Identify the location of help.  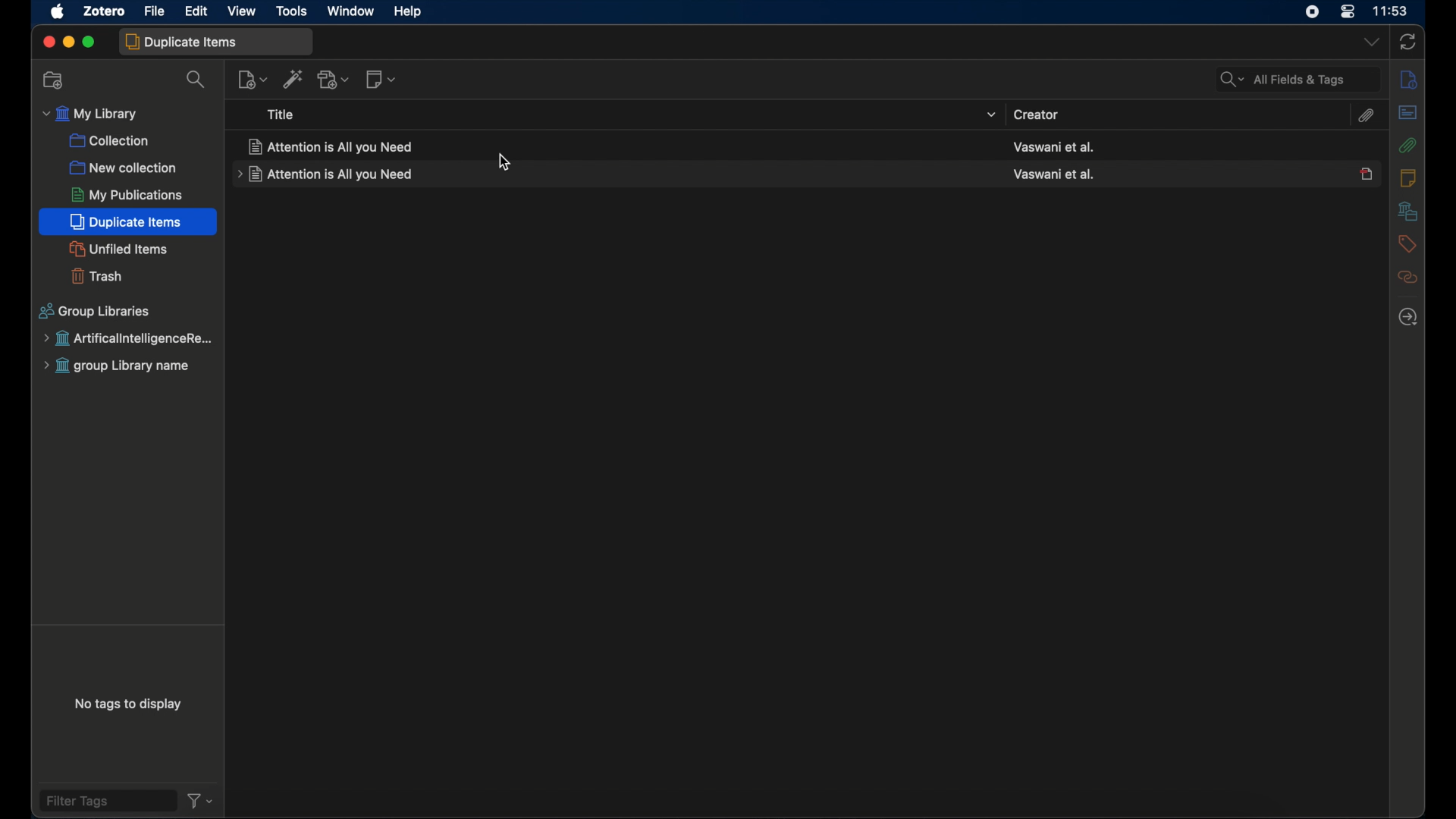
(409, 12).